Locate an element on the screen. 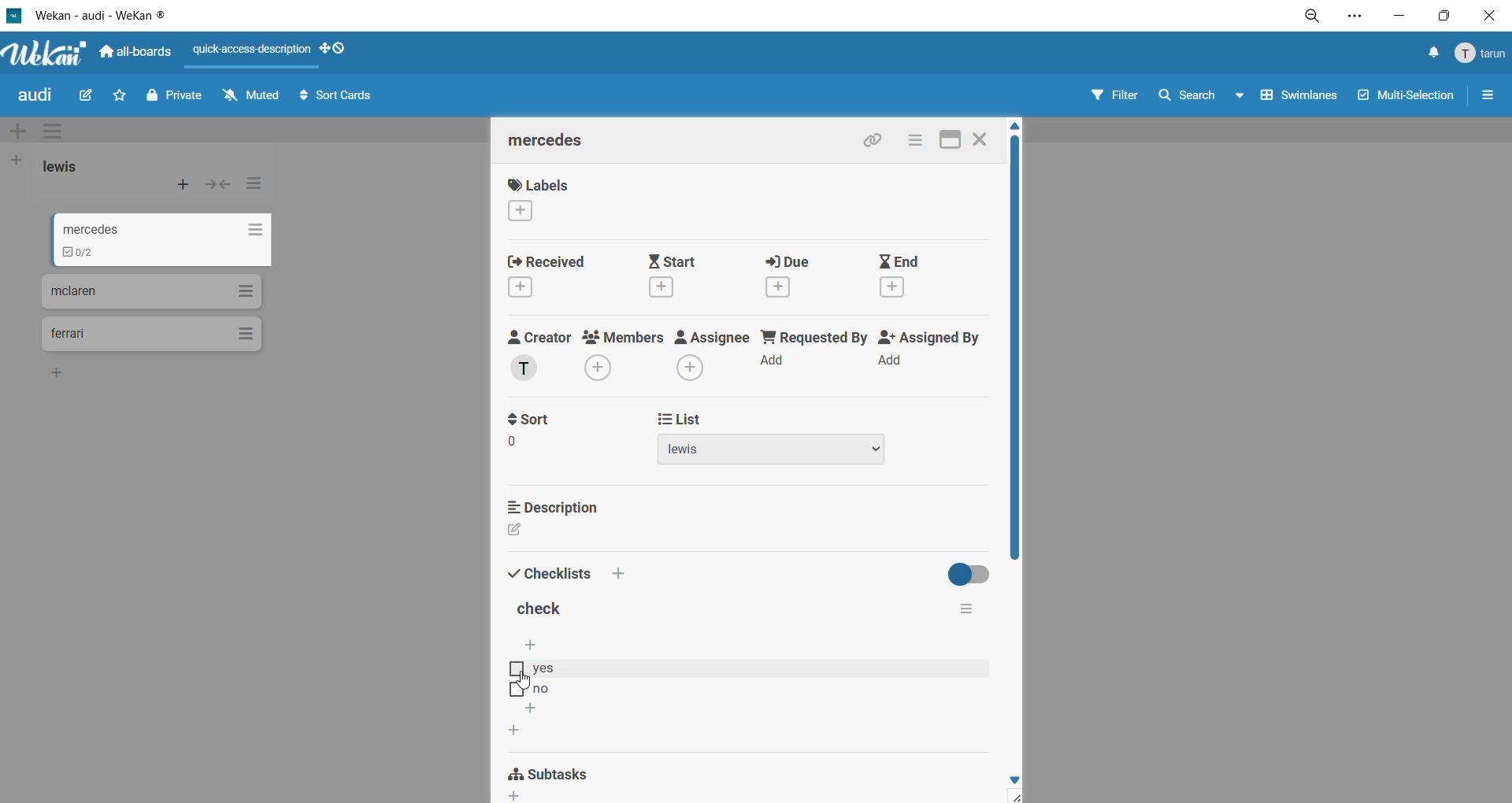  add checklist is located at coordinates (514, 730).